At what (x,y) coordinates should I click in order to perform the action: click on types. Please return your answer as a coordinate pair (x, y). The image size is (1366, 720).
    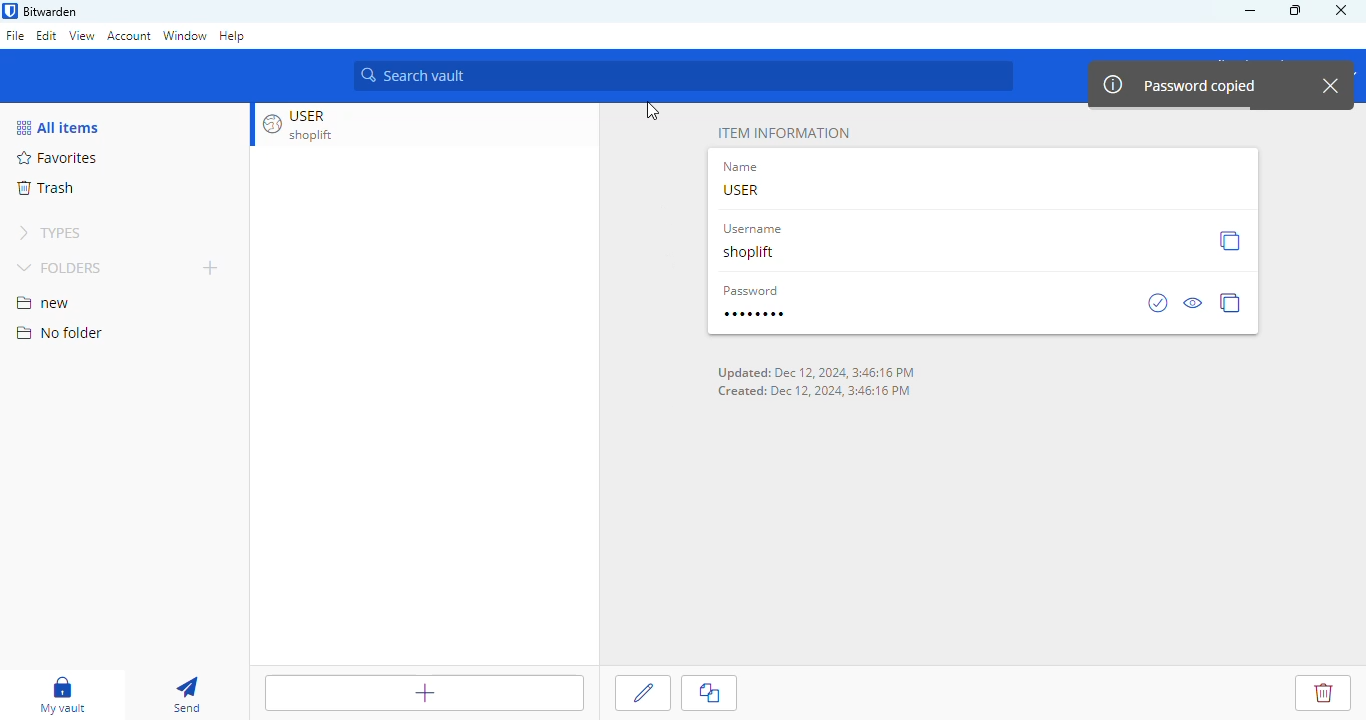
    Looking at the image, I should click on (50, 233).